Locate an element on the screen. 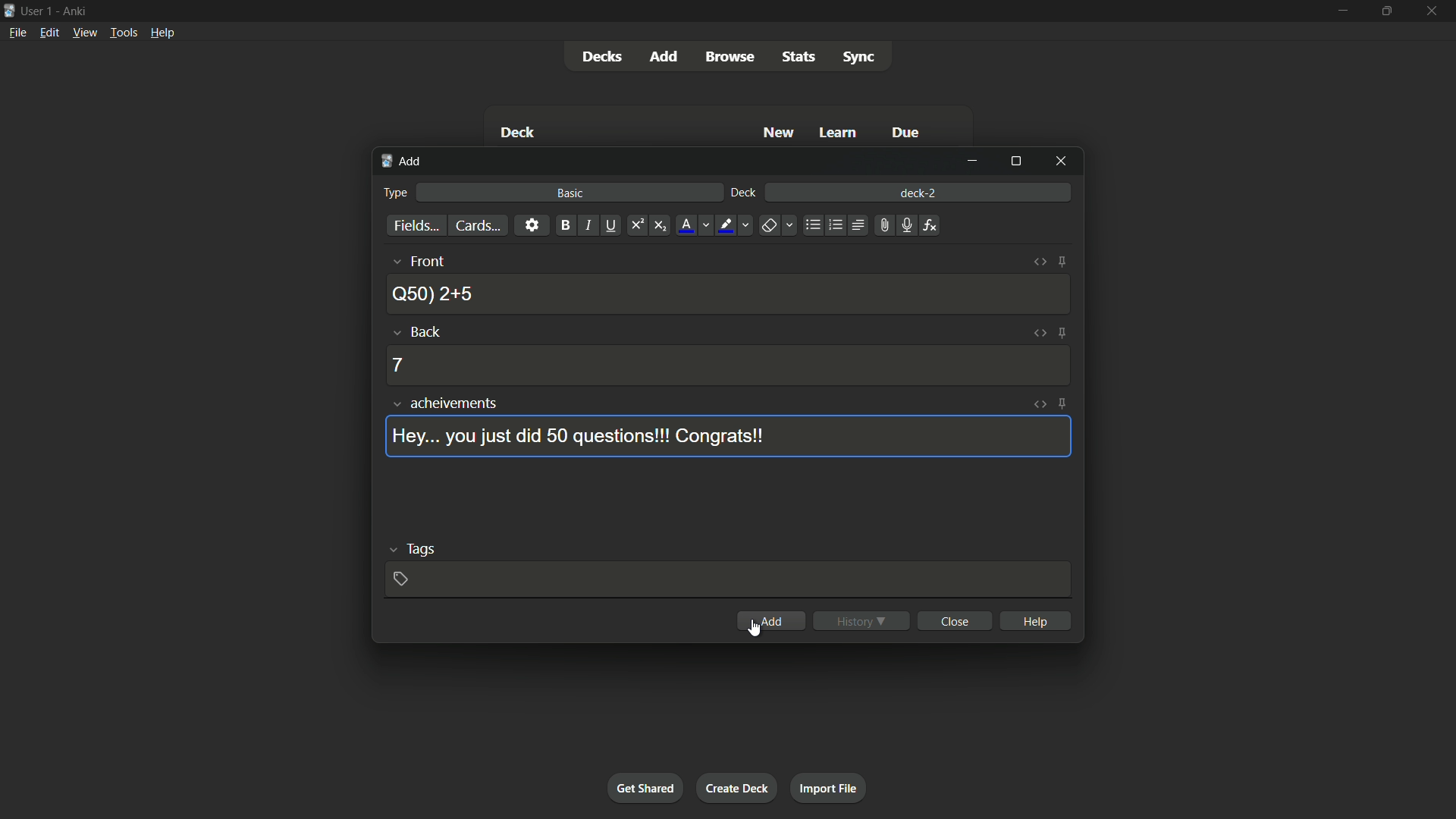 The width and height of the screenshot is (1456, 819). fields is located at coordinates (415, 226).